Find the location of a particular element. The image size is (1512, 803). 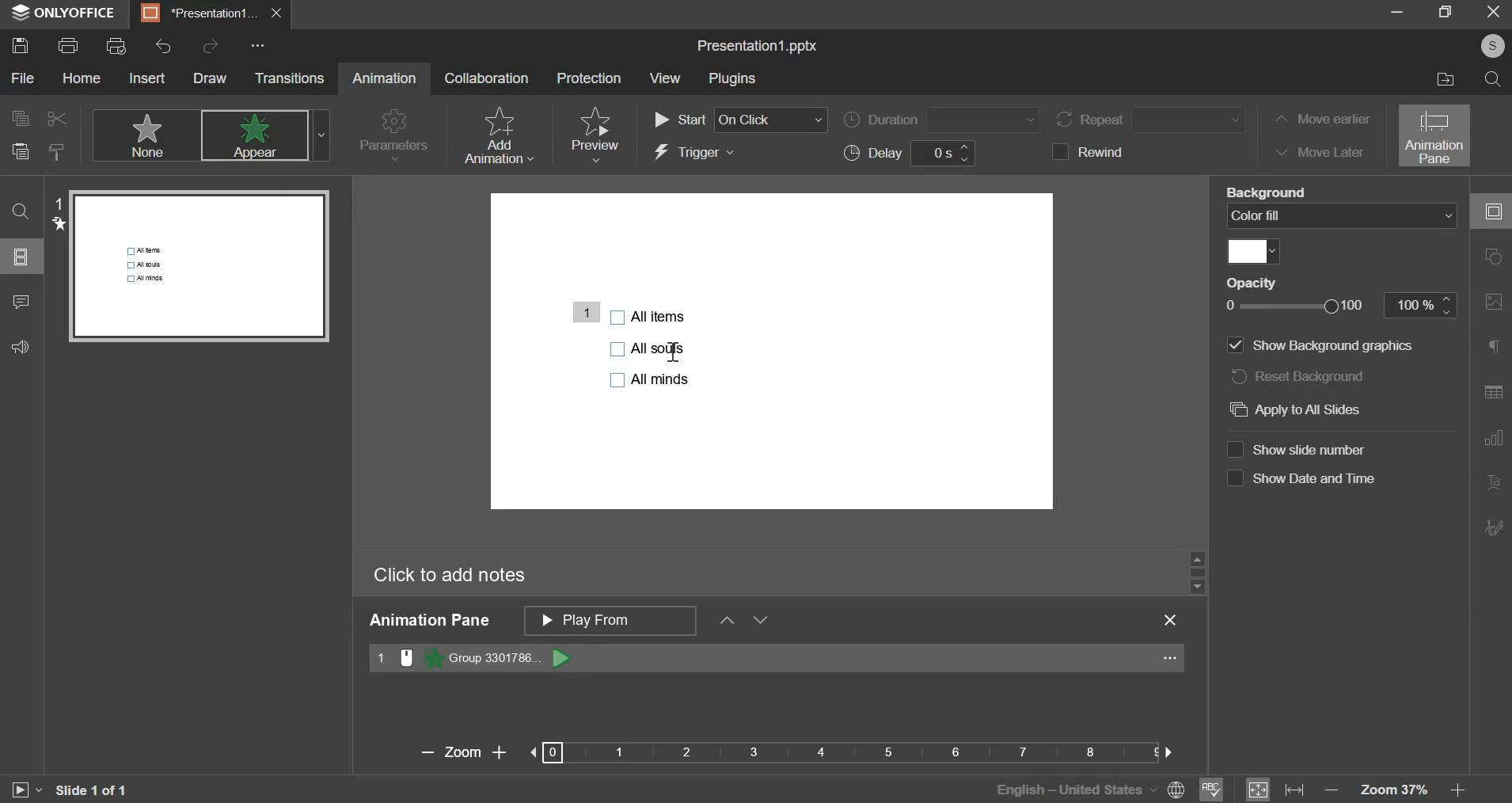

protection is located at coordinates (587, 78).